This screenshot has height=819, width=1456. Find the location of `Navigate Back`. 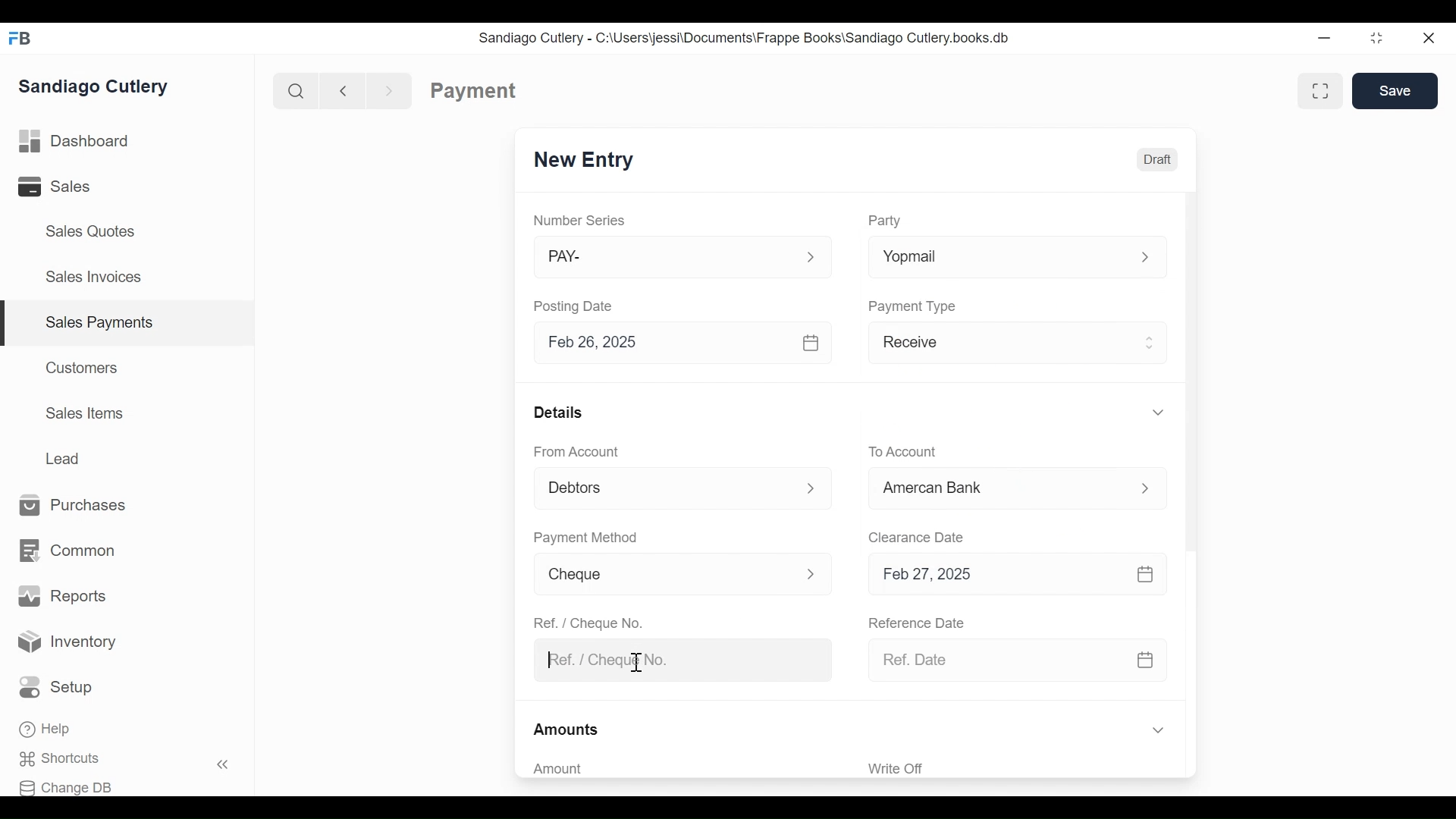

Navigate Back is located at coordinates (340, 90).